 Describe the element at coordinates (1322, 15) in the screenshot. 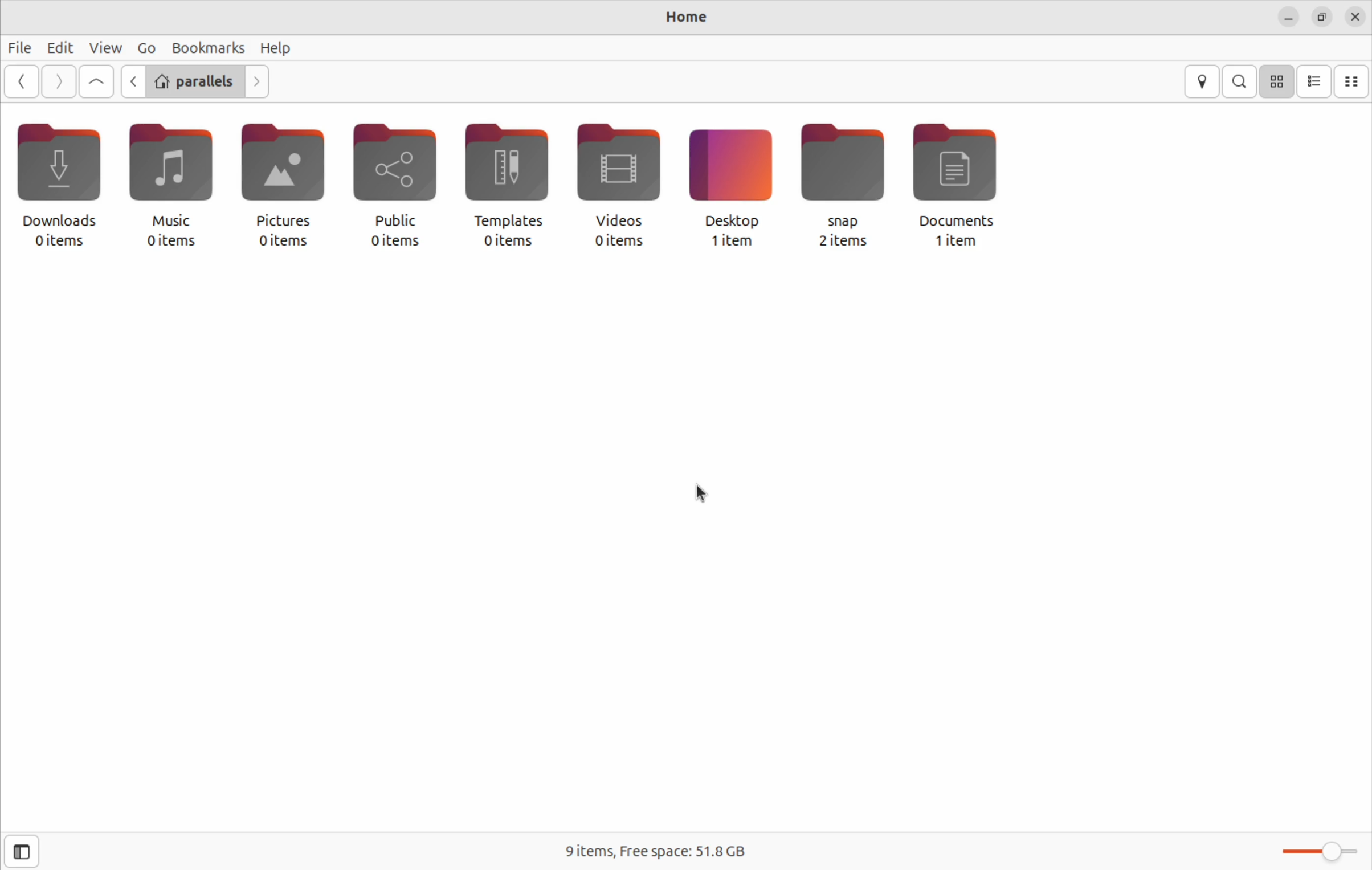

I see `resize` at that location.